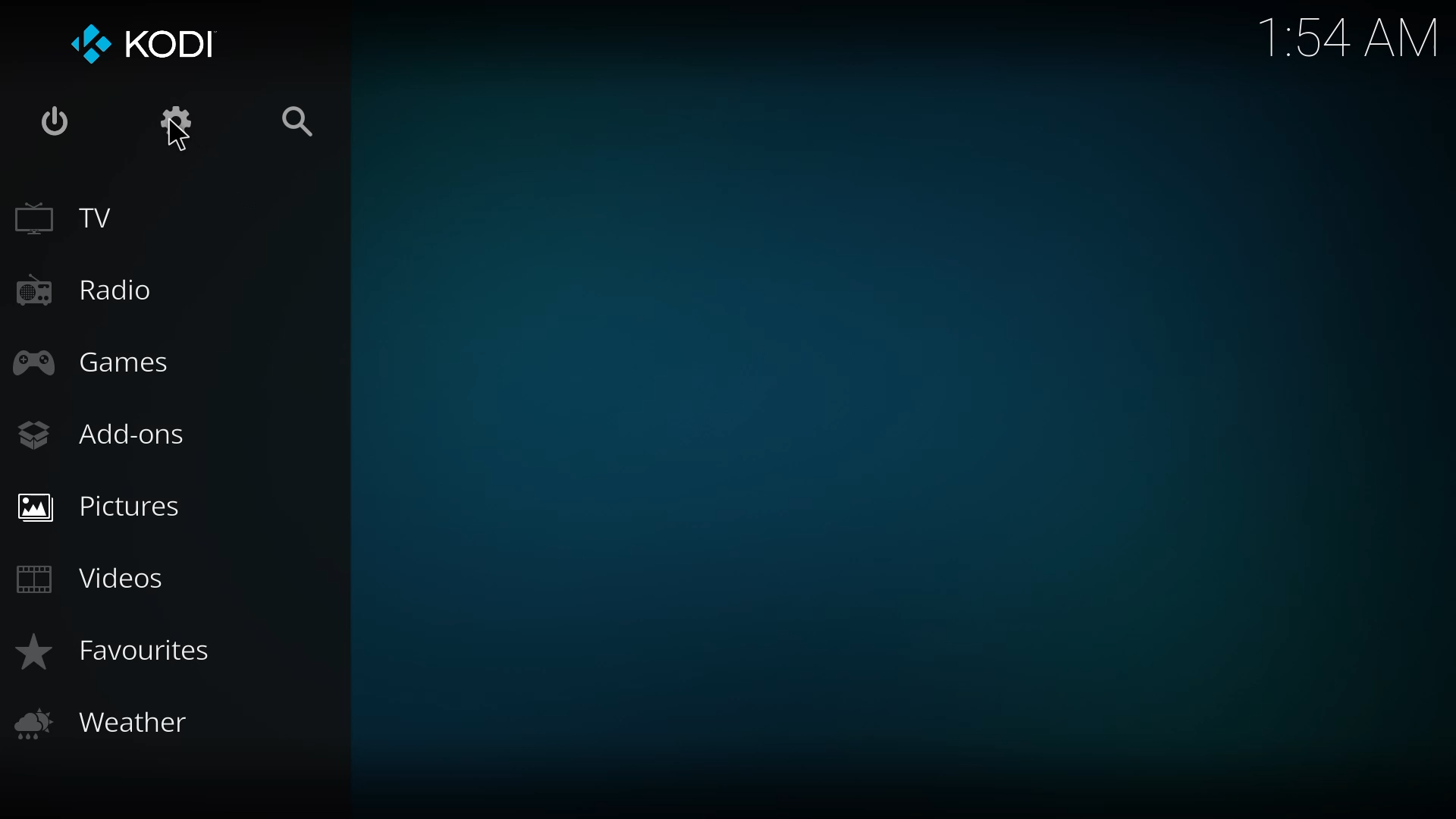 This screenshot has height=819, width=1456. Describe the element at coordinates (1352, 39) in the screenshot. I see `time` at that location.